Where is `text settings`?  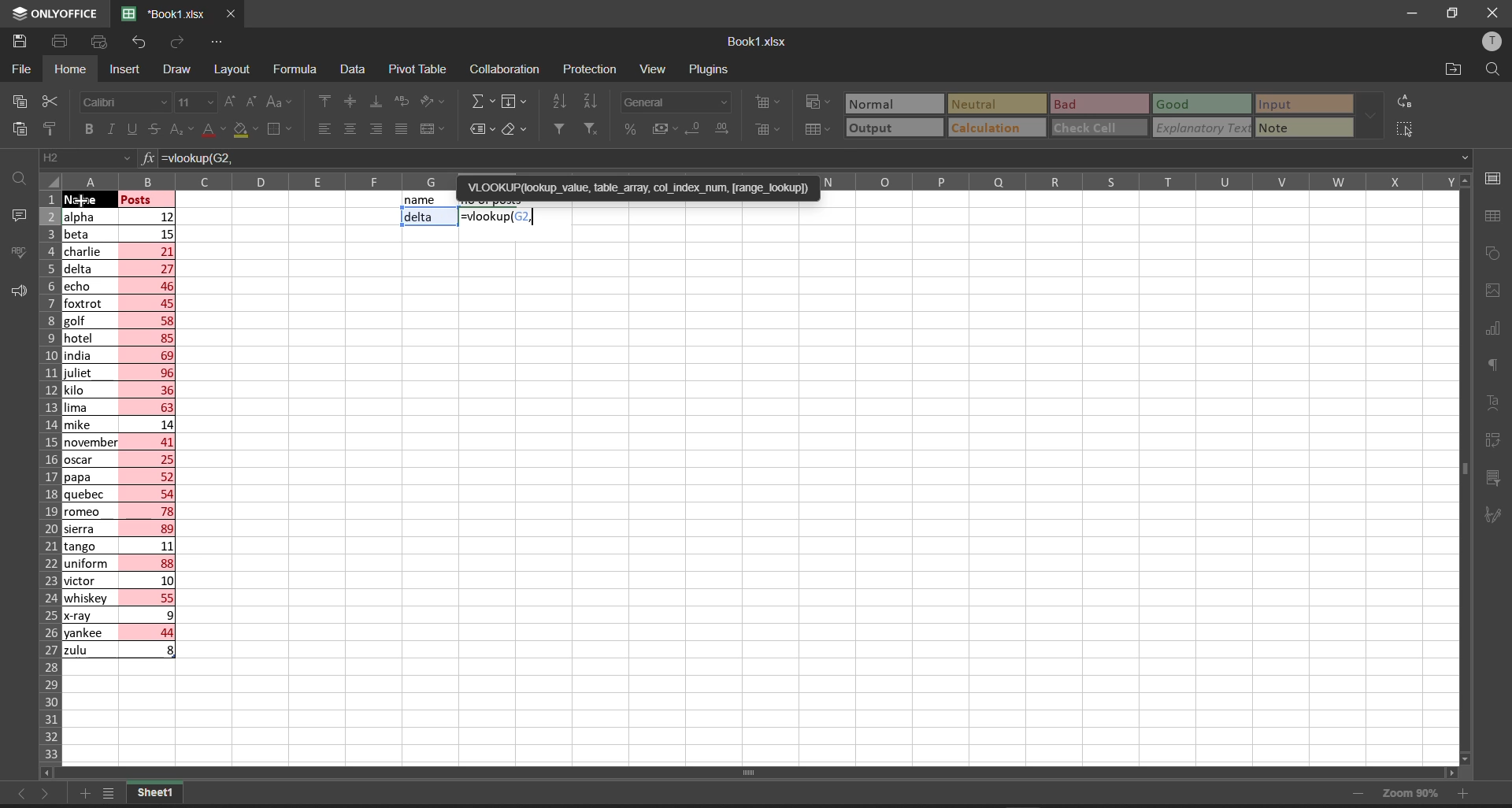 text settings is located at coordinates (1497, 402).